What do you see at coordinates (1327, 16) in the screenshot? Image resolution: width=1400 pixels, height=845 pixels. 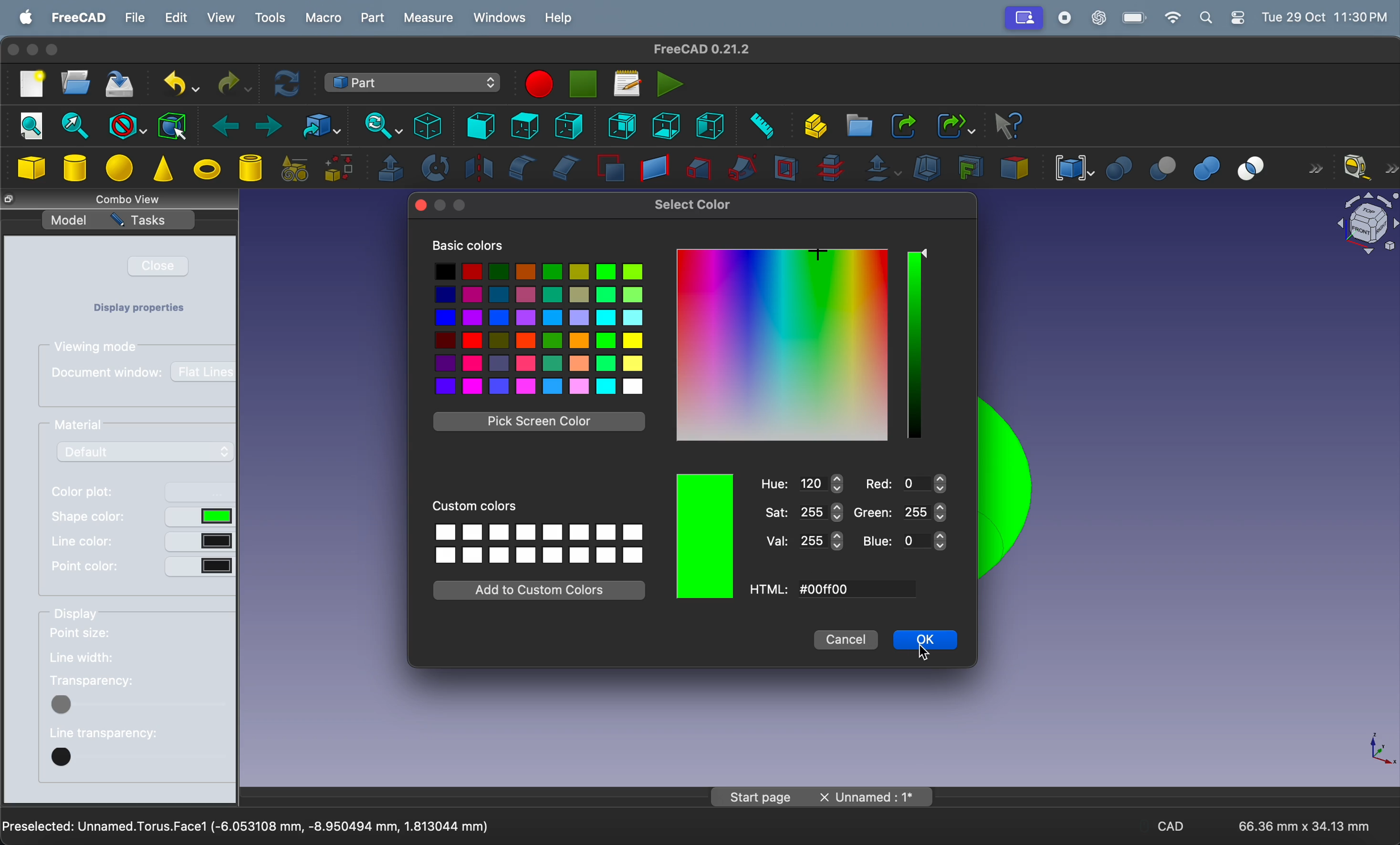 I see `time and date` at bounding box center [1327, 16].